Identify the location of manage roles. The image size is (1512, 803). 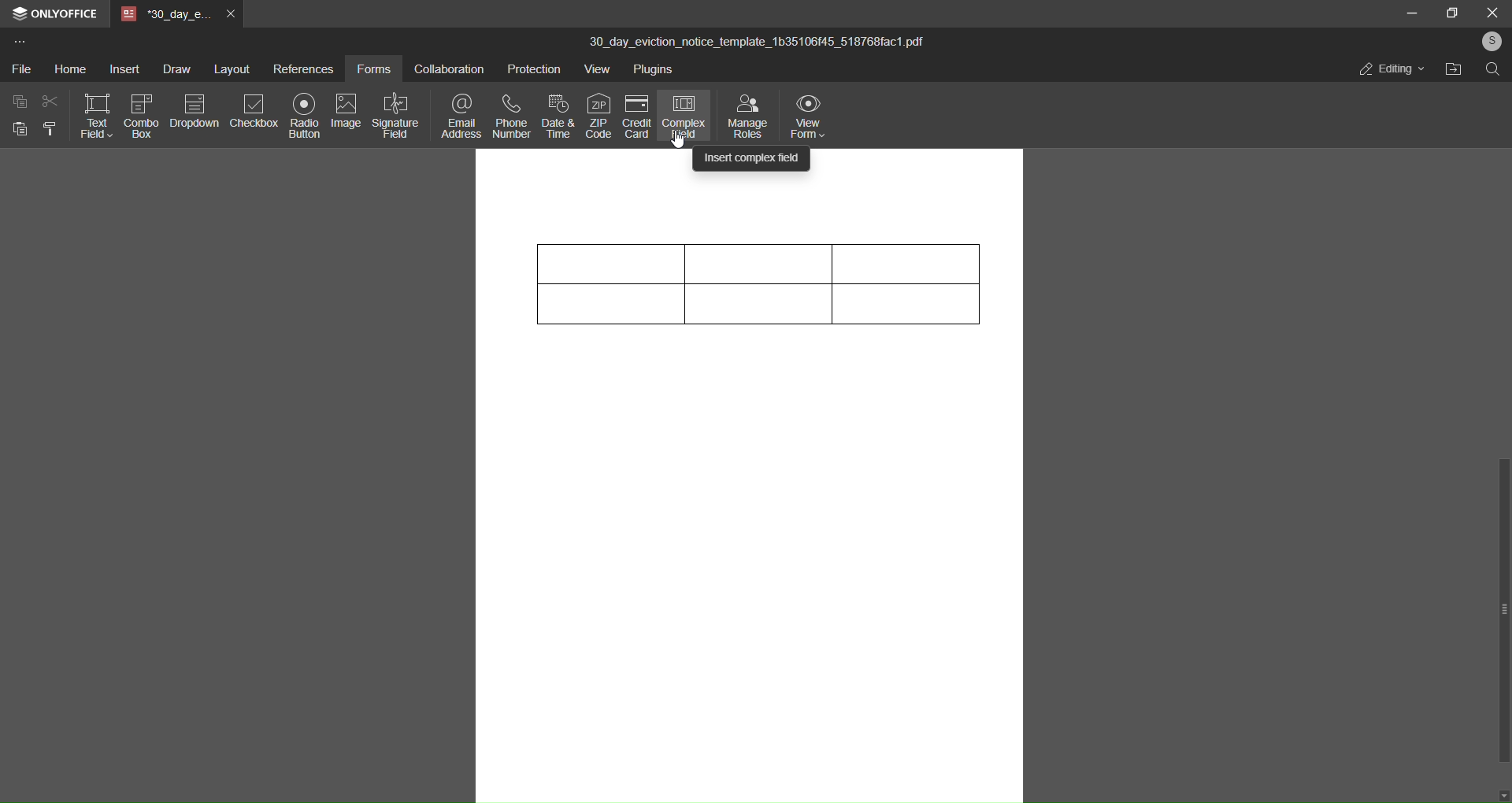
(745, 113).